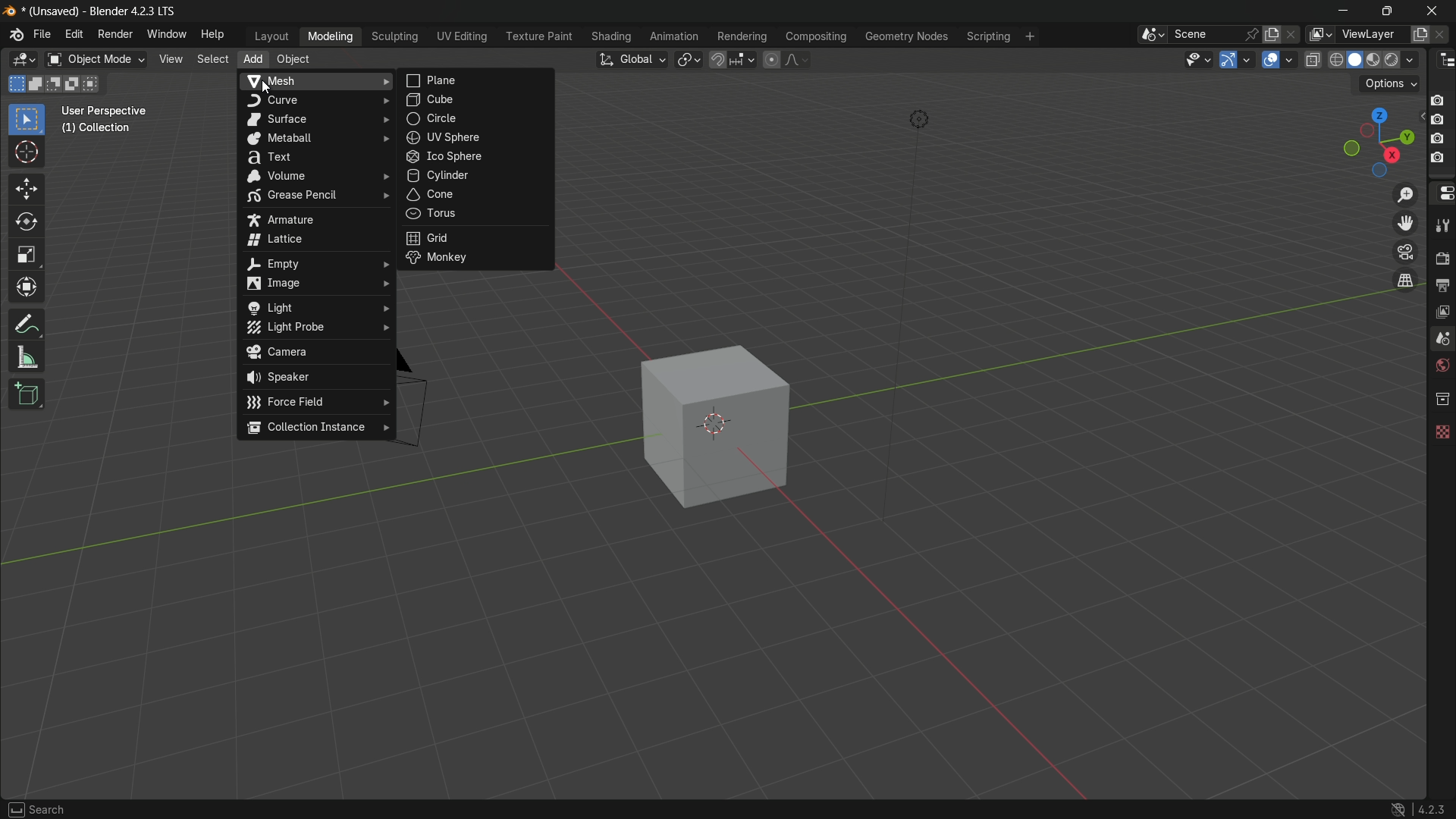 Image resolution: width=1456 pixels, height=819 pixels. I want to click on animation menu, so click(676, 36).